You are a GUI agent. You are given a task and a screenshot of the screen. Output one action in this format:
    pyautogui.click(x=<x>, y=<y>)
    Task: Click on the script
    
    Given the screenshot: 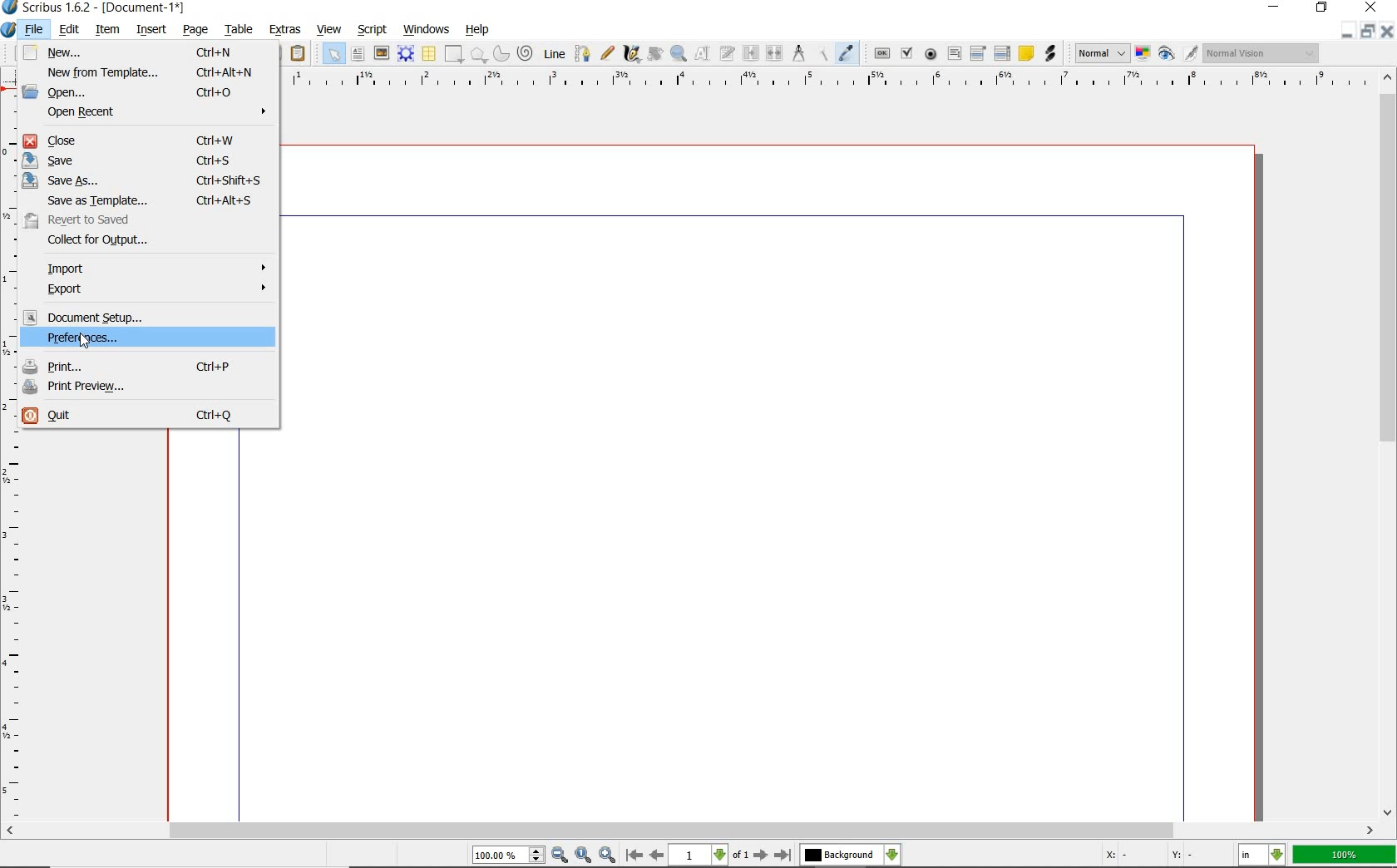 What is the action you would take?
    pyautogui.click(x=375, y=30)
    